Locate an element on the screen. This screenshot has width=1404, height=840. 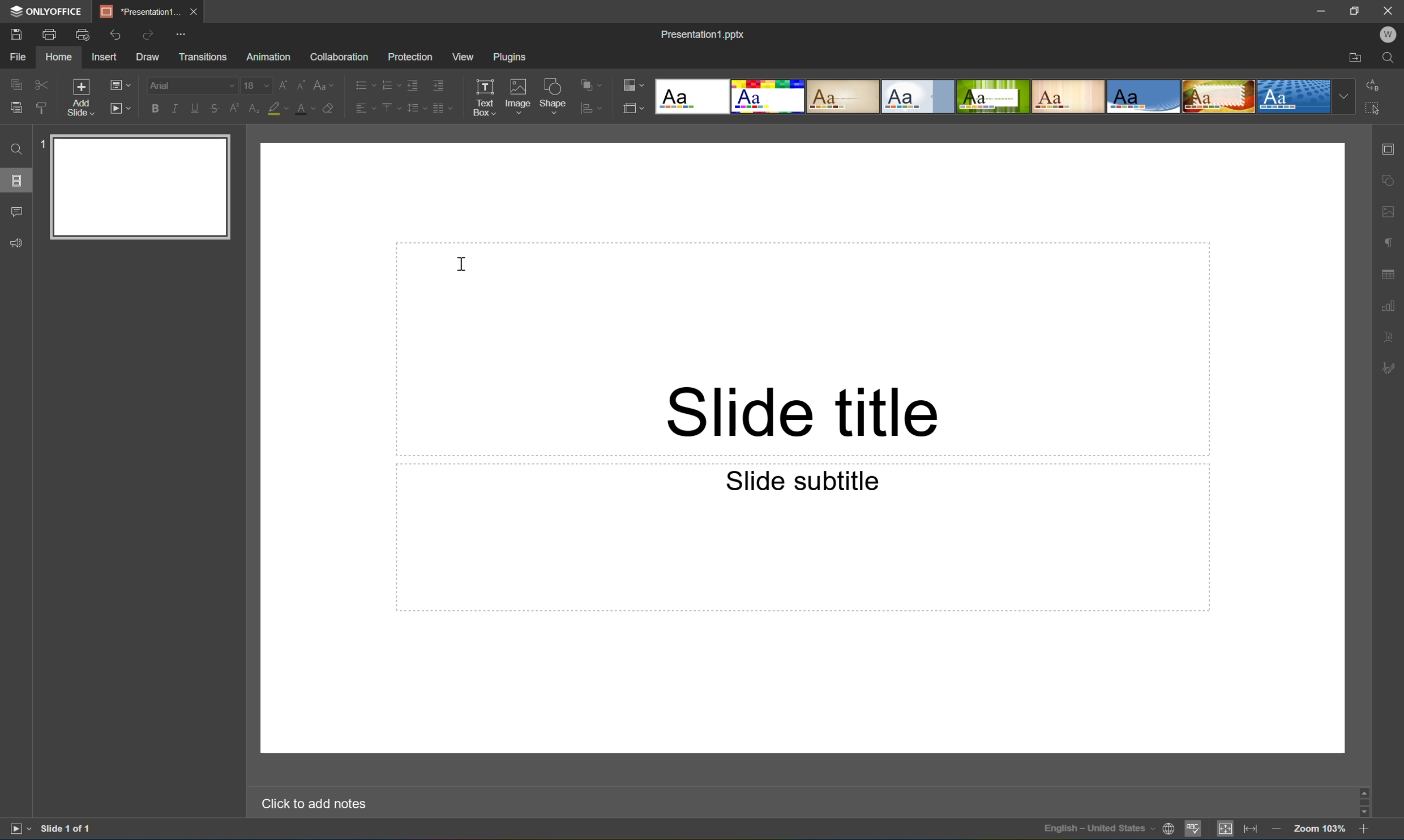
View is located at coordinates (464, 57).